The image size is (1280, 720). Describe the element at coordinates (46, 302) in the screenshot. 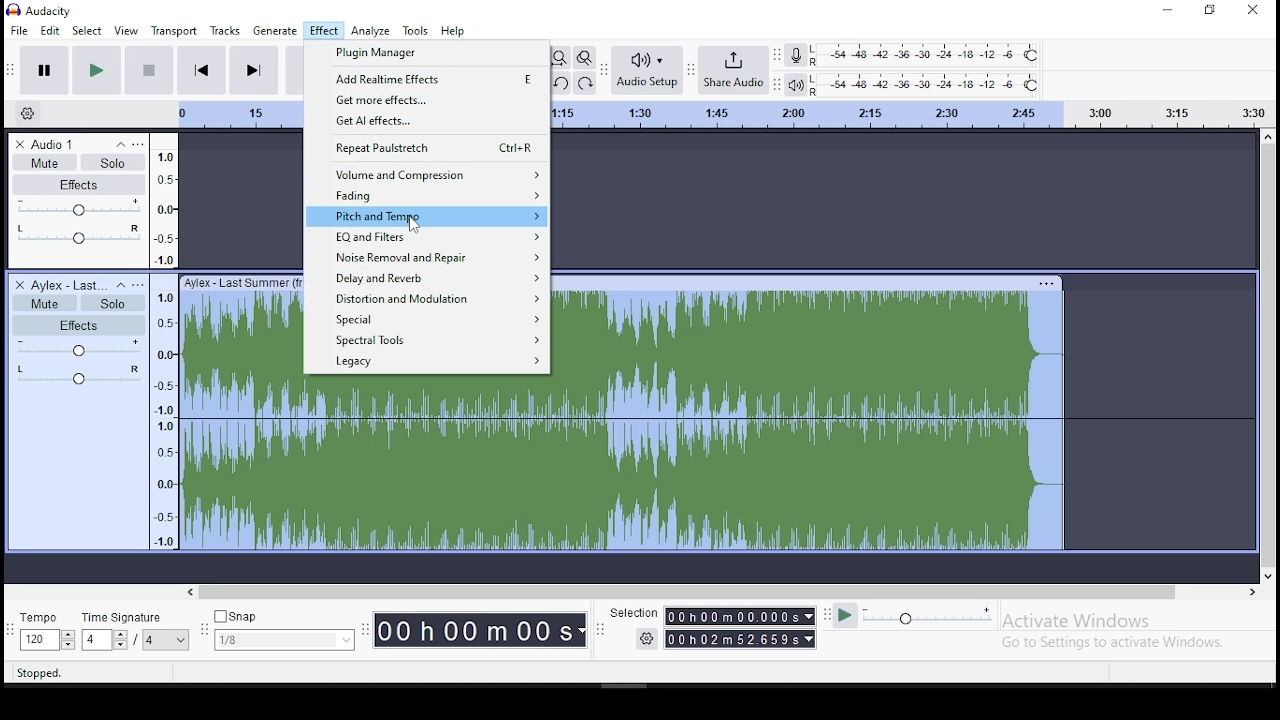

I see `mute/unmute` at that location.